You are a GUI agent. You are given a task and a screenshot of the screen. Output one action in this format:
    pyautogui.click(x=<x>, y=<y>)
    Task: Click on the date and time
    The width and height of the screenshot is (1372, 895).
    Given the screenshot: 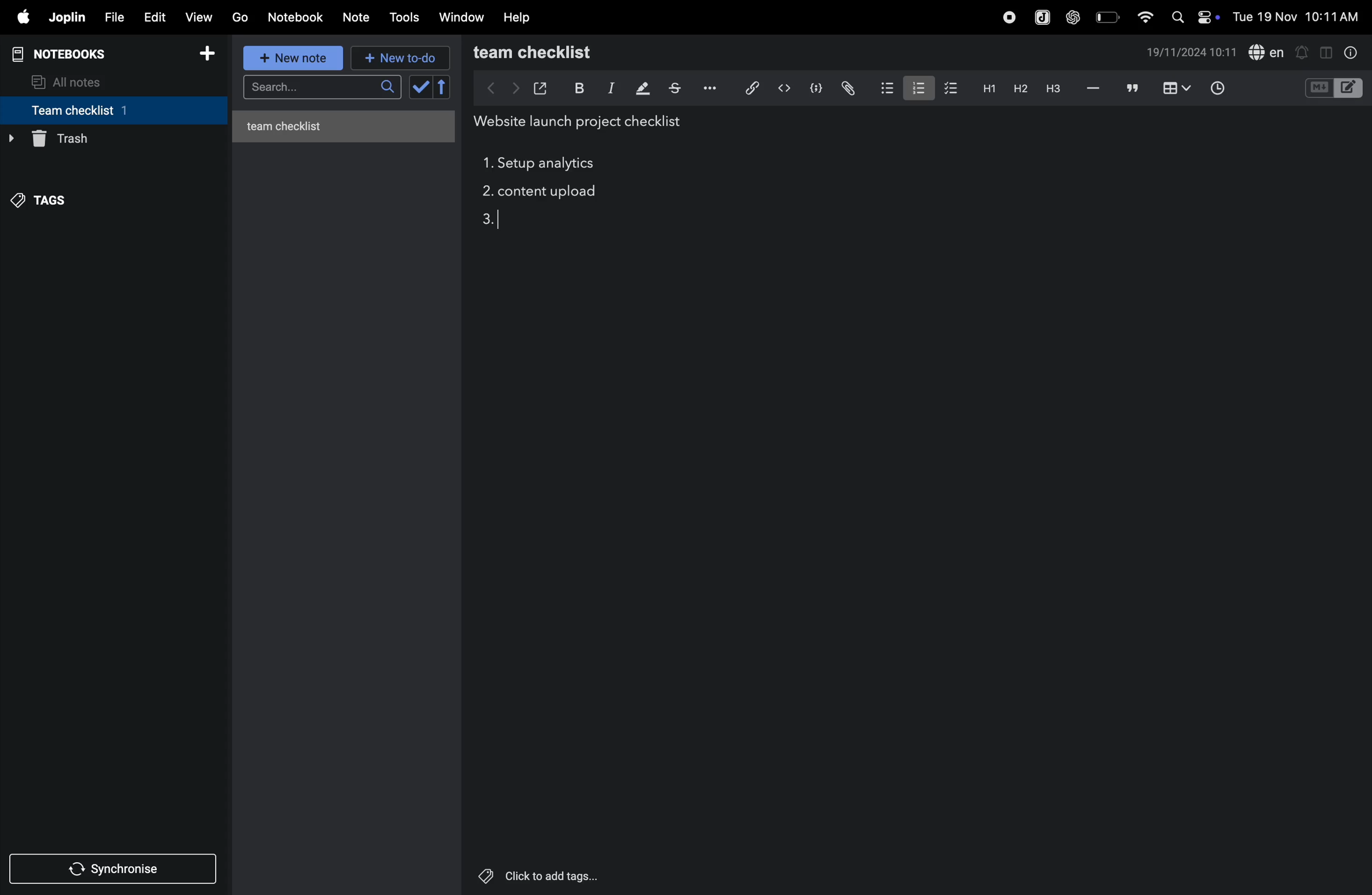 What is the action you would take?
    pyautogui.click(x=1297, y=17)
    